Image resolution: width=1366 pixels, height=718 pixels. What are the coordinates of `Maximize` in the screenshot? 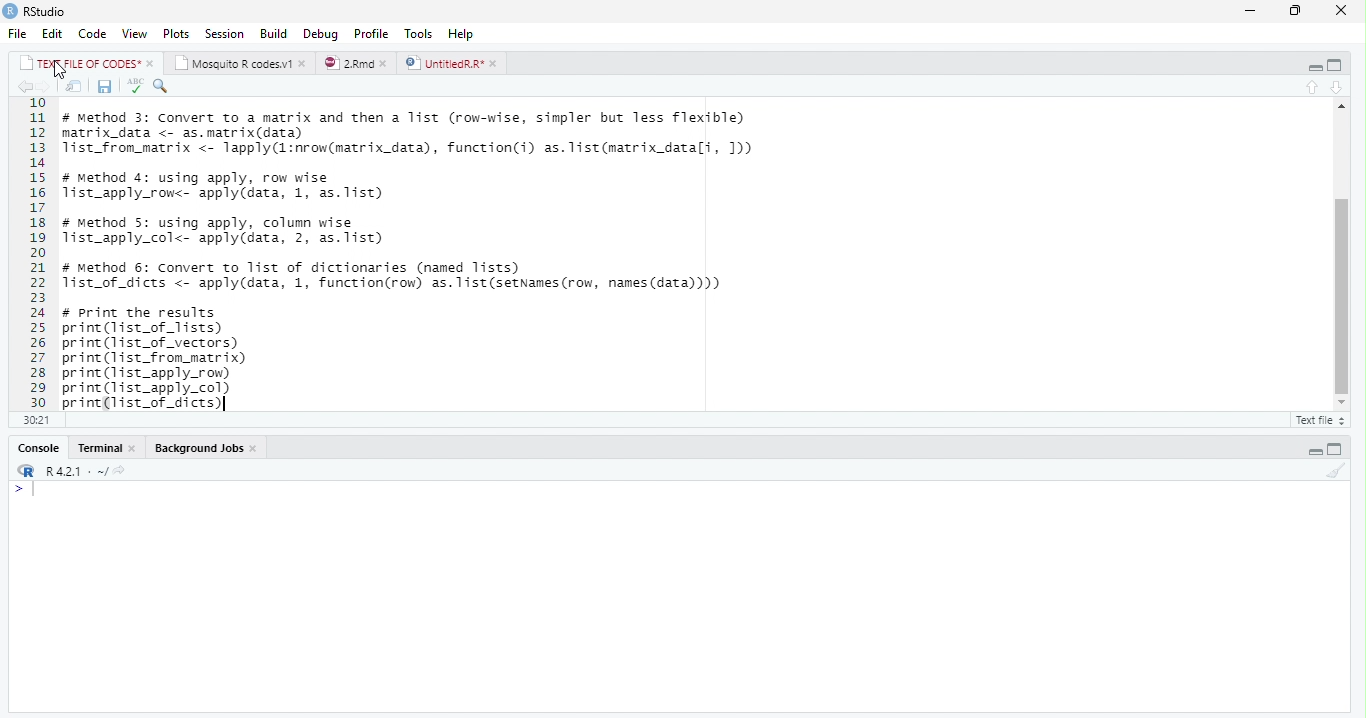 It's located at (1296, 11).